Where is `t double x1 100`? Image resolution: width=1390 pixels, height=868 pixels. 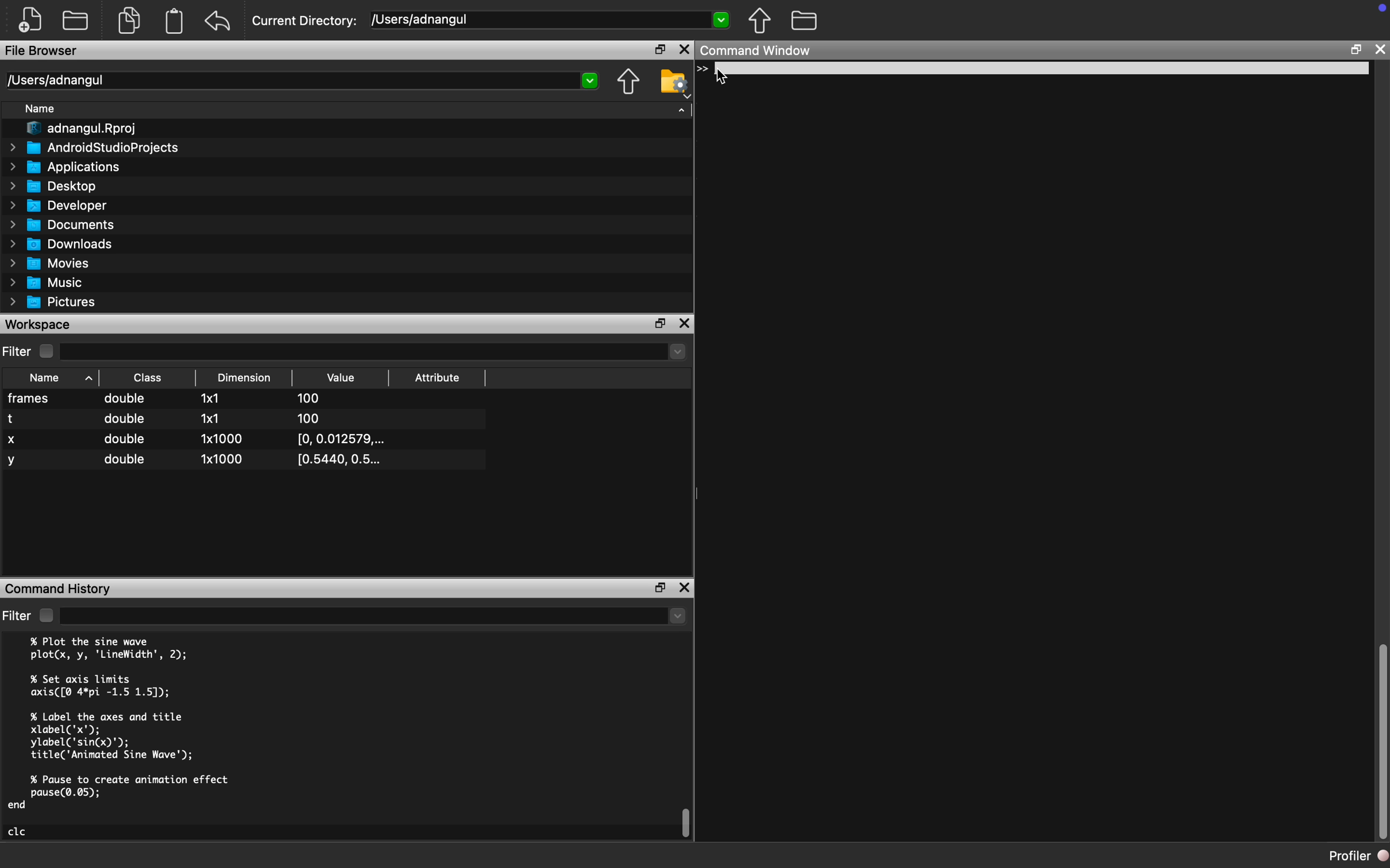 t double x1 100 is located at coordinates (173, 418).